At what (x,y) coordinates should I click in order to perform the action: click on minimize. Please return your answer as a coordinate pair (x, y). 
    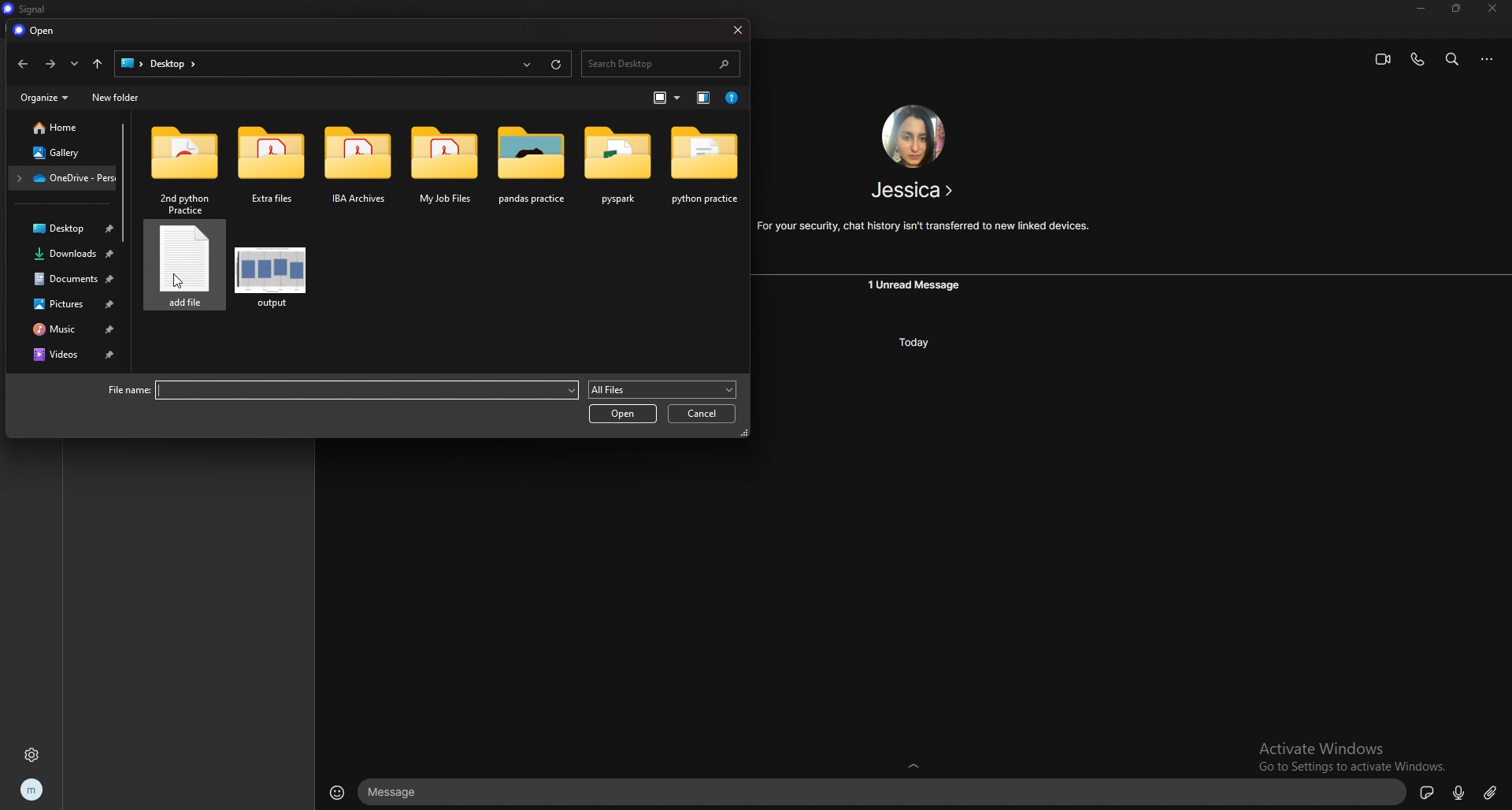
    Looking at the image, I should click on (1420, 9).